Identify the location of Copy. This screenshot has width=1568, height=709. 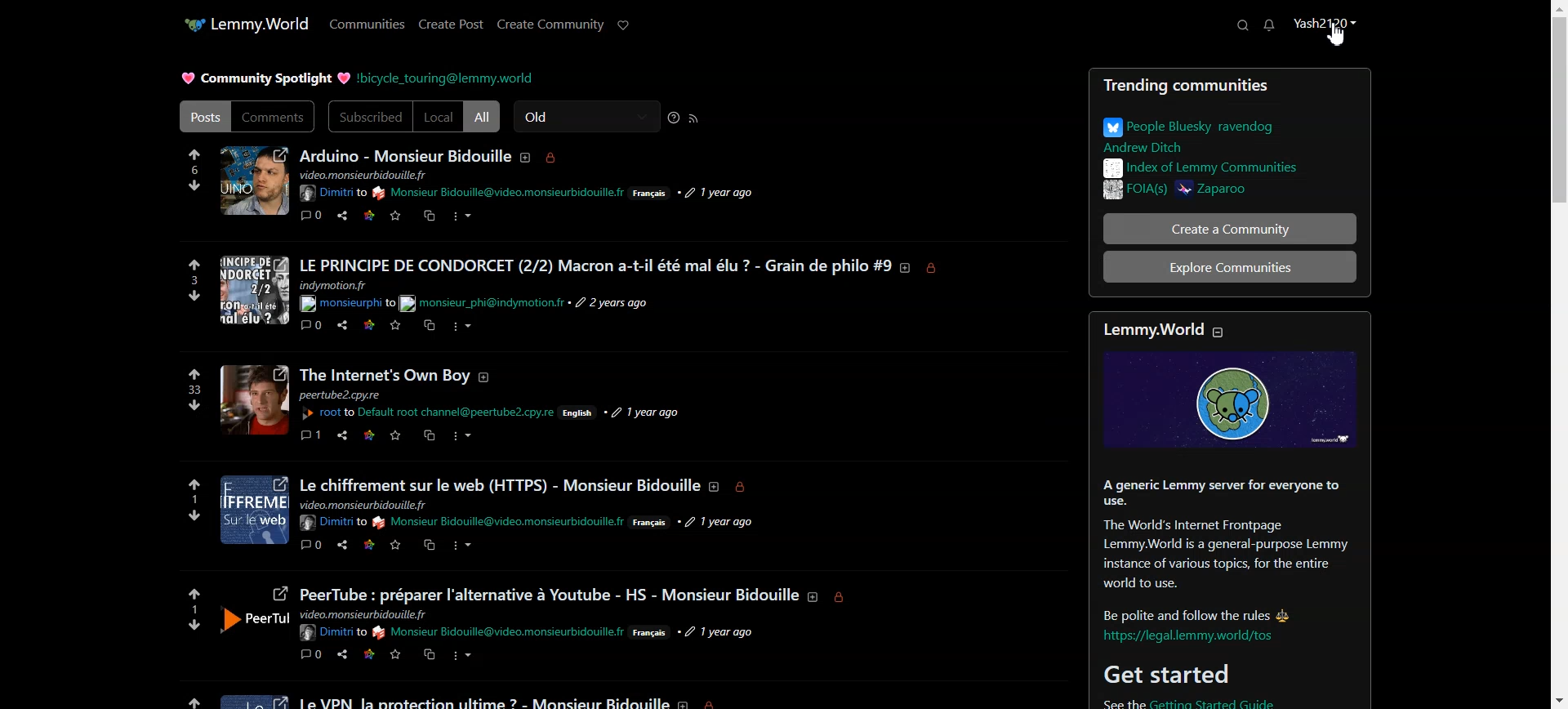
(430, 216).